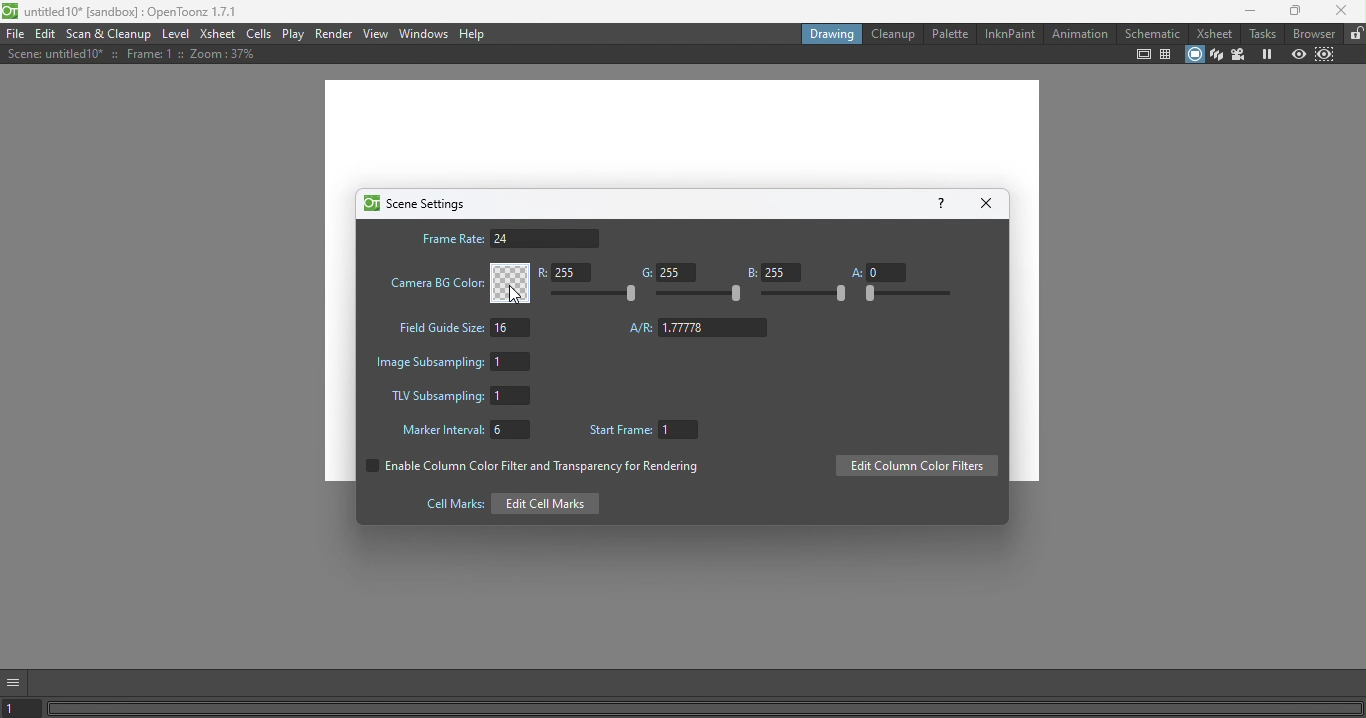  Describe the element at coordinates (990, 202) in the screenshot. I see `Close` at that location.